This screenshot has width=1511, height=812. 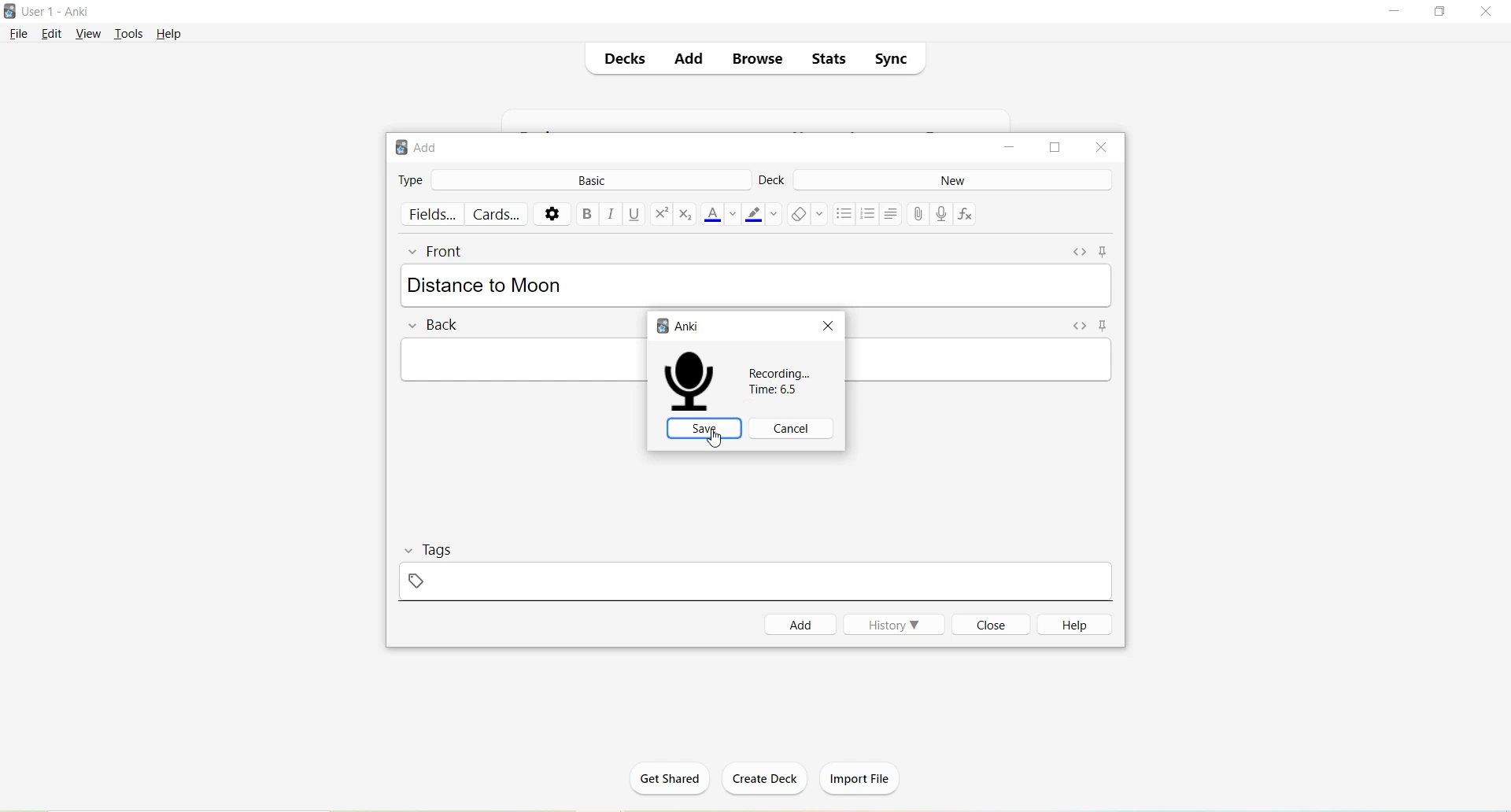 I want to click on Browse, so click(x=751, y=60).